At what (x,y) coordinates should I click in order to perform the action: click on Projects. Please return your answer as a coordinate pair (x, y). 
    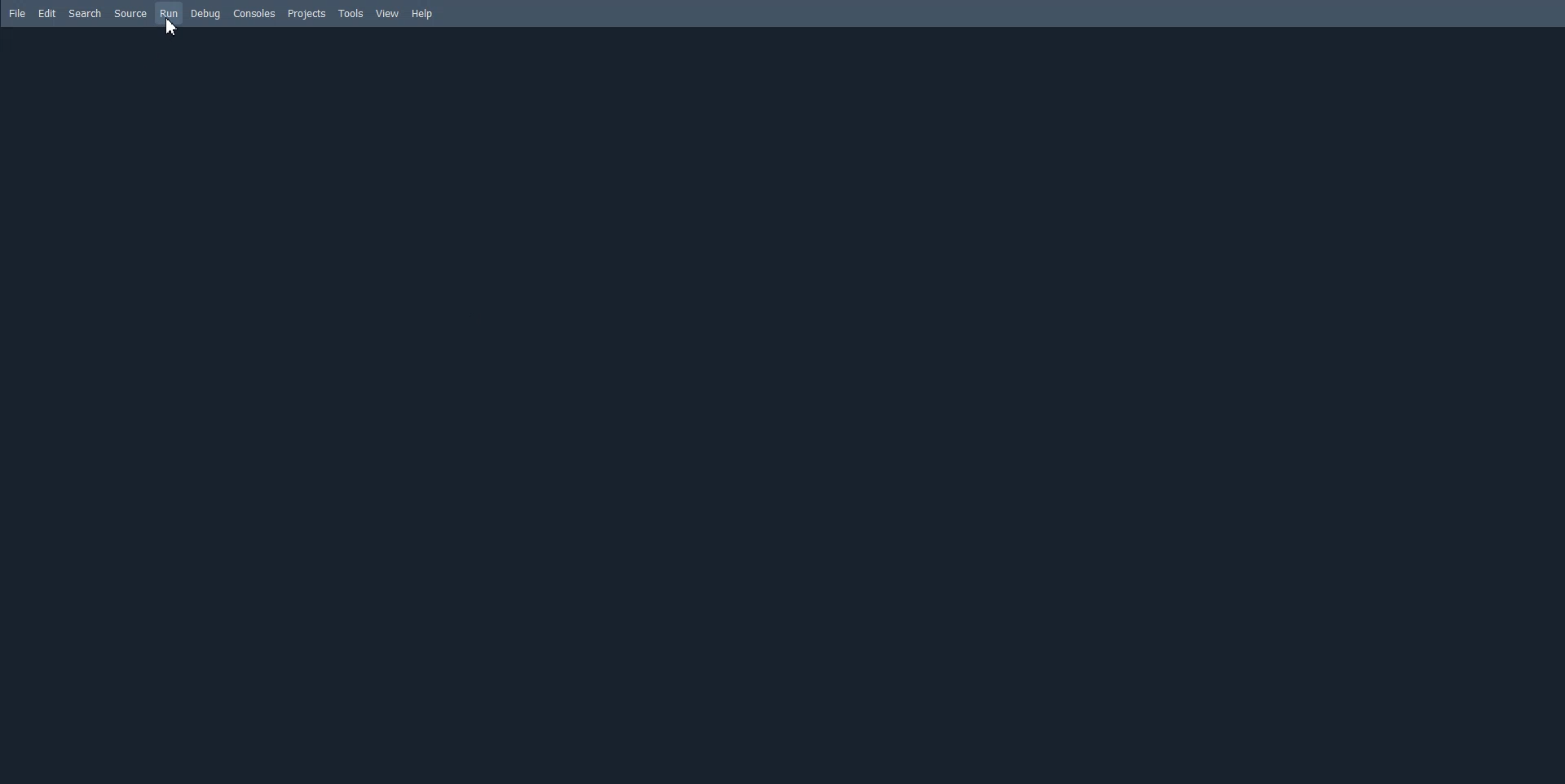
    Looking at the image, I should click on (306, 13).